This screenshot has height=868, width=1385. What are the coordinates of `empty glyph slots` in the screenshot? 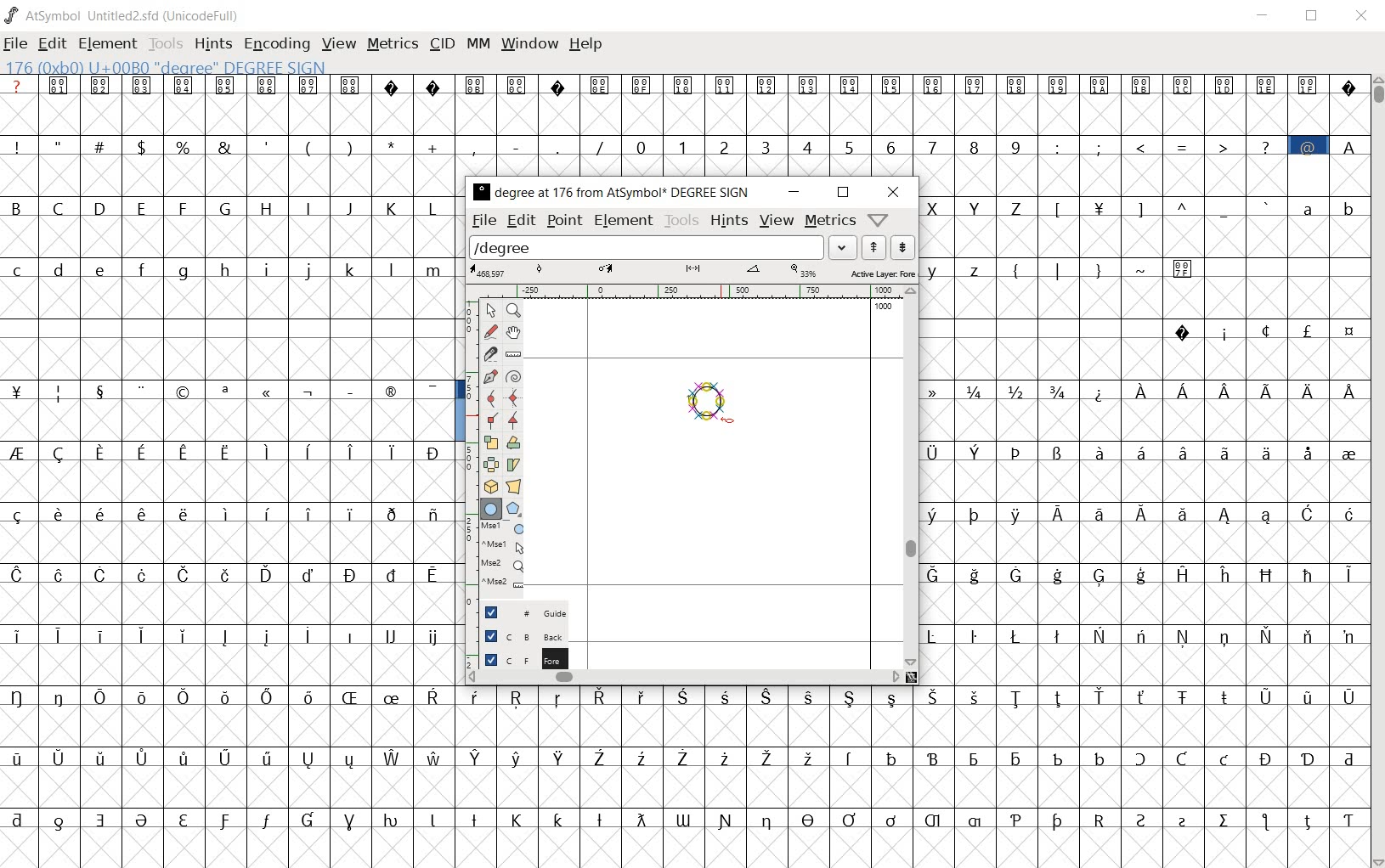 It's located at (911, 727).